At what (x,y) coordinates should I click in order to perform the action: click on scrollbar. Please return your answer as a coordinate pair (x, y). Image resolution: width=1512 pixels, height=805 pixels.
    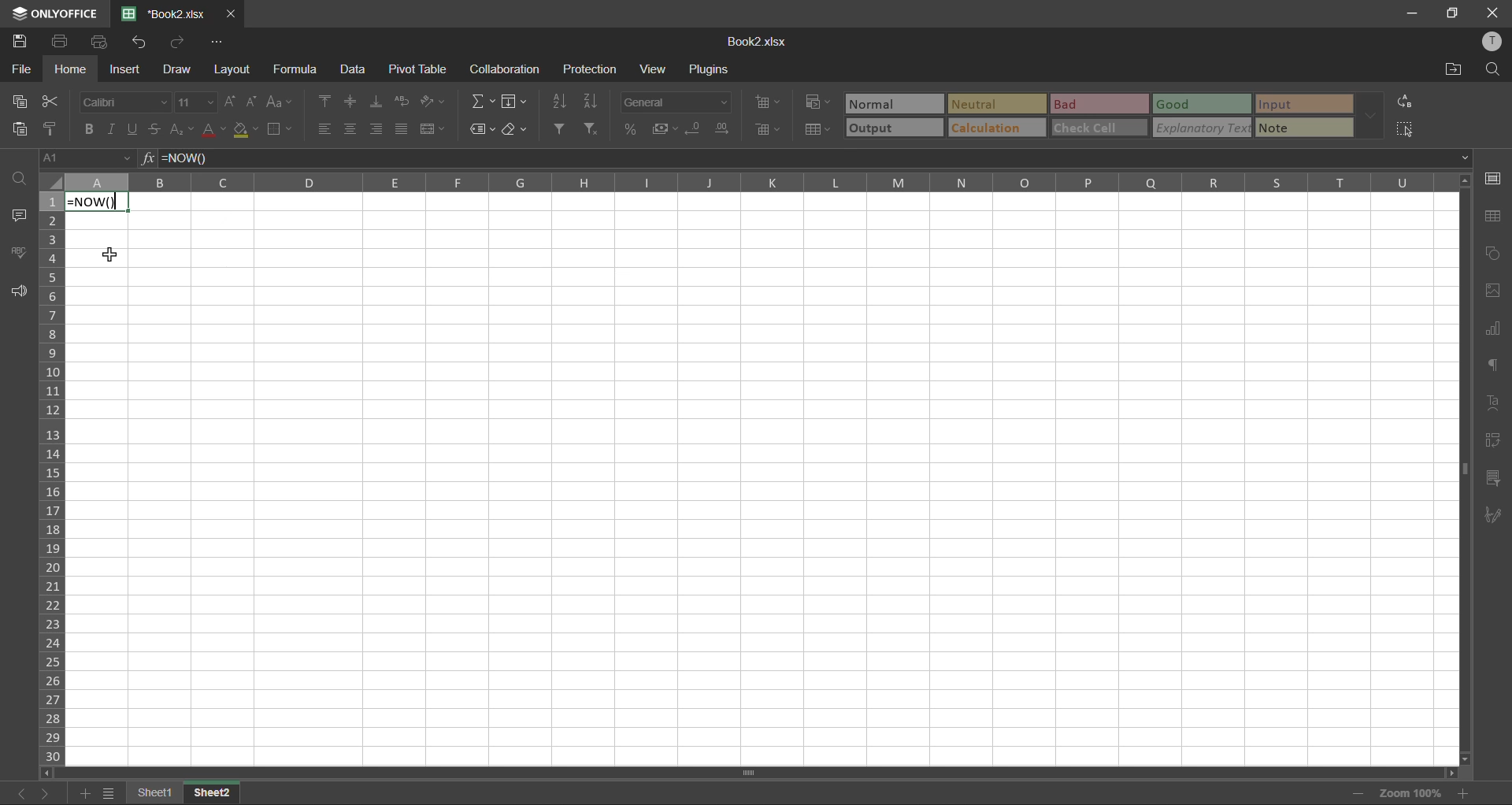
    Looking at the image, I should click on (747, 773).